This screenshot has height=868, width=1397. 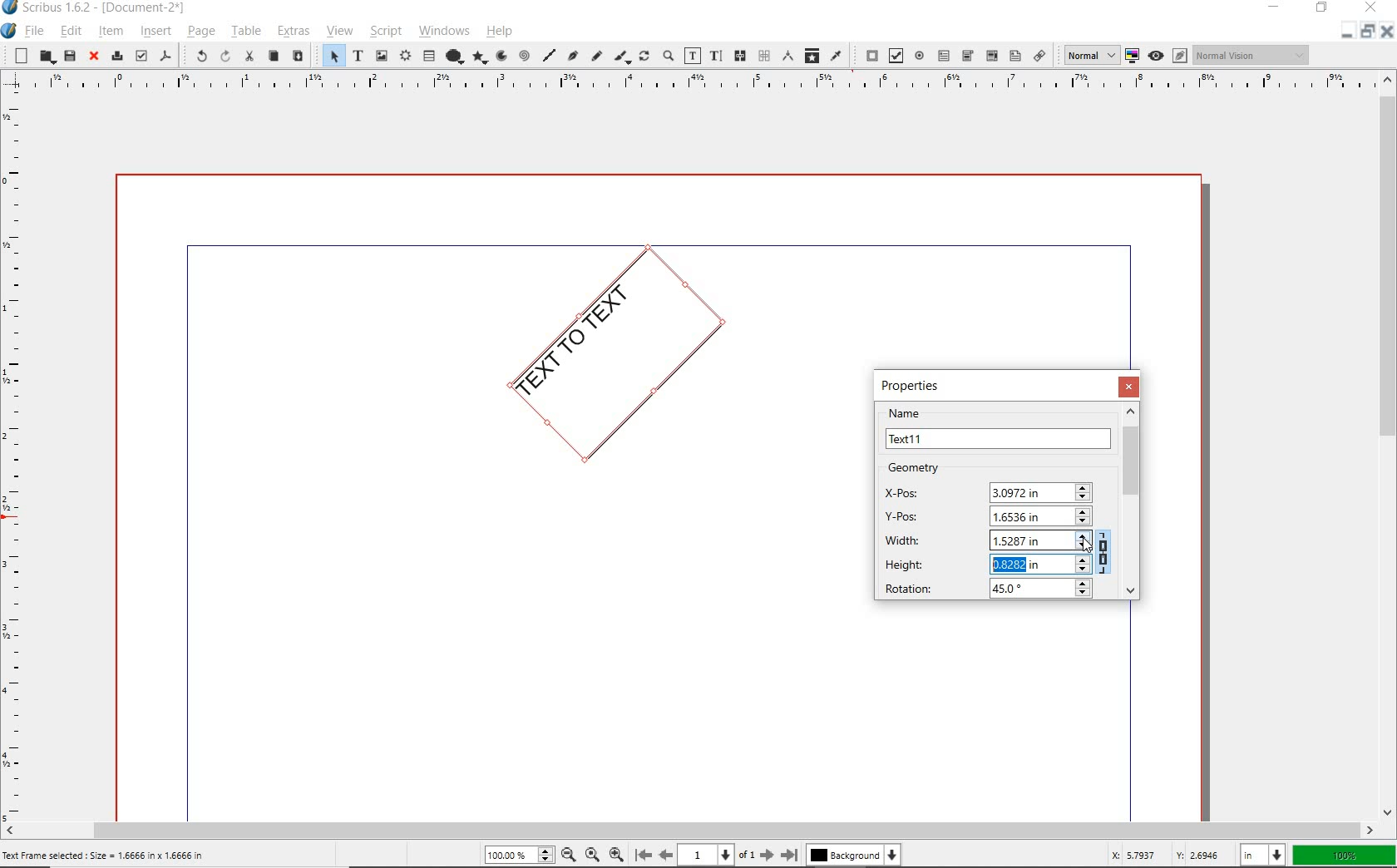 What do you see at coordinates (1131, 387) in the screenshot?
I see `CLOSE` at bounding box center [1131, 387].